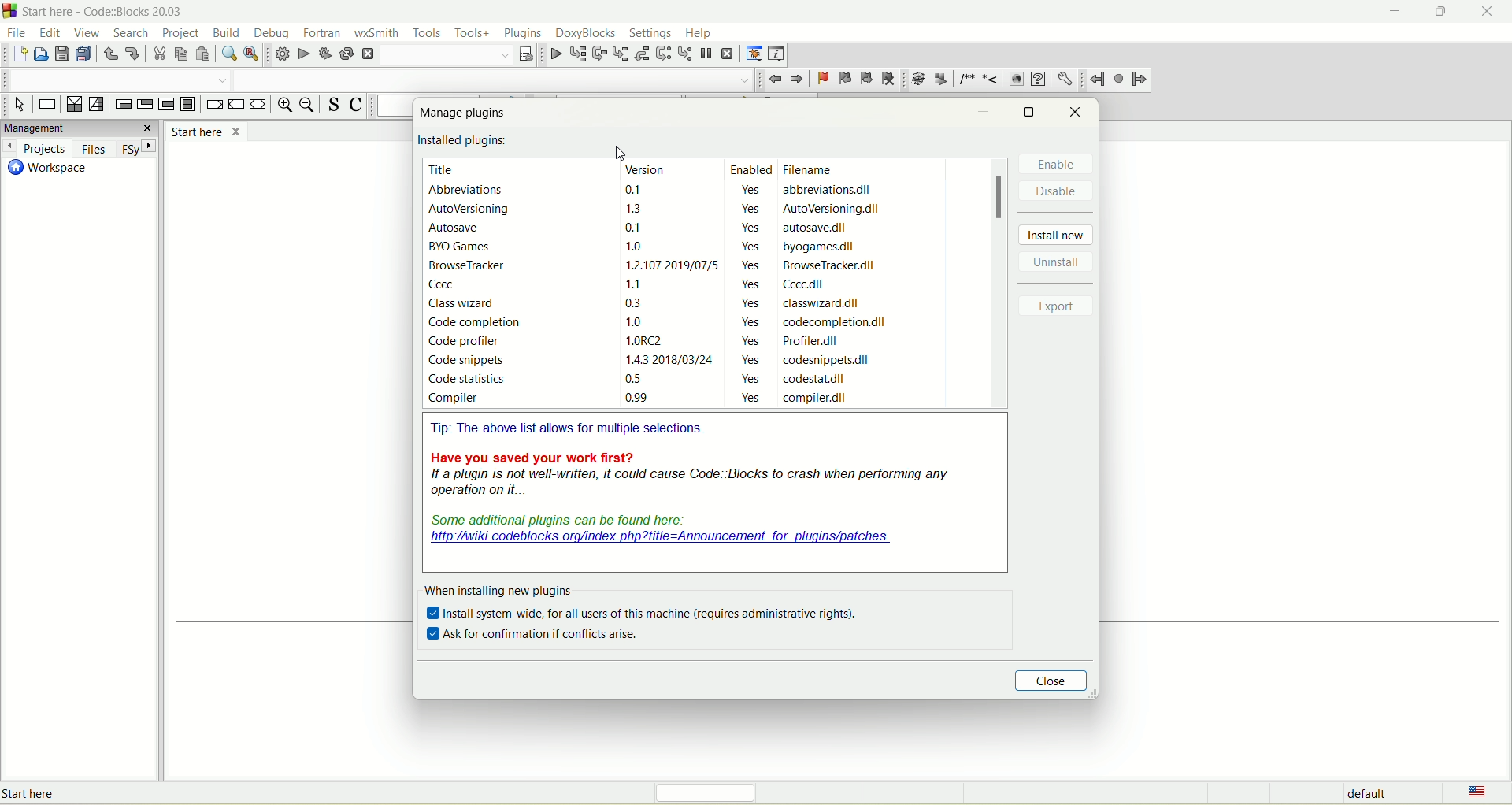 Image resolution: width=1512 pixels, height=805 pixels. What do you see at coordinates (213, 104) in the screenshot?
I see `break instruction` at bounding box center [213, 104].